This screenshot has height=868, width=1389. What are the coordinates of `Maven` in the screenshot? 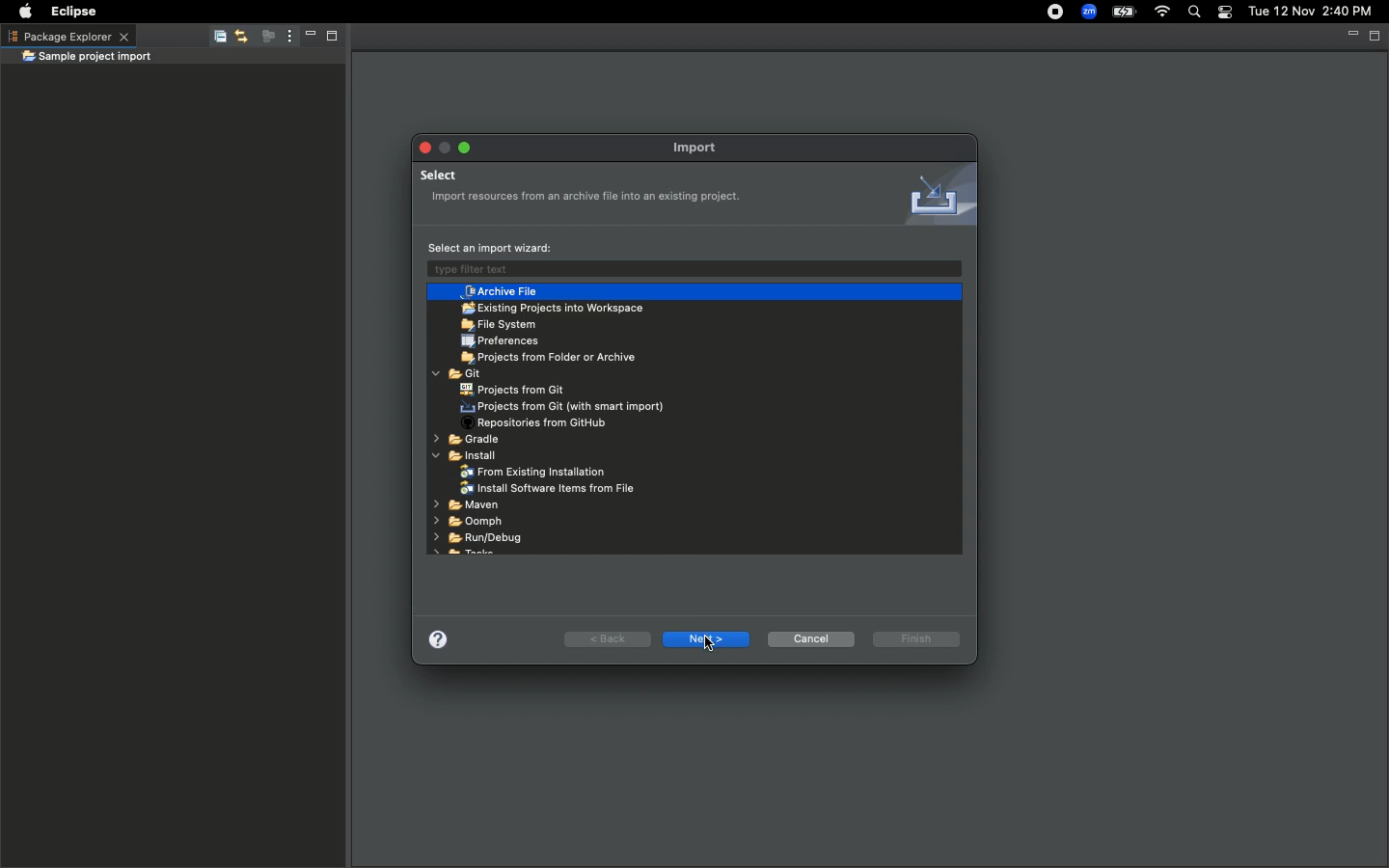 It's located at (465, 506).